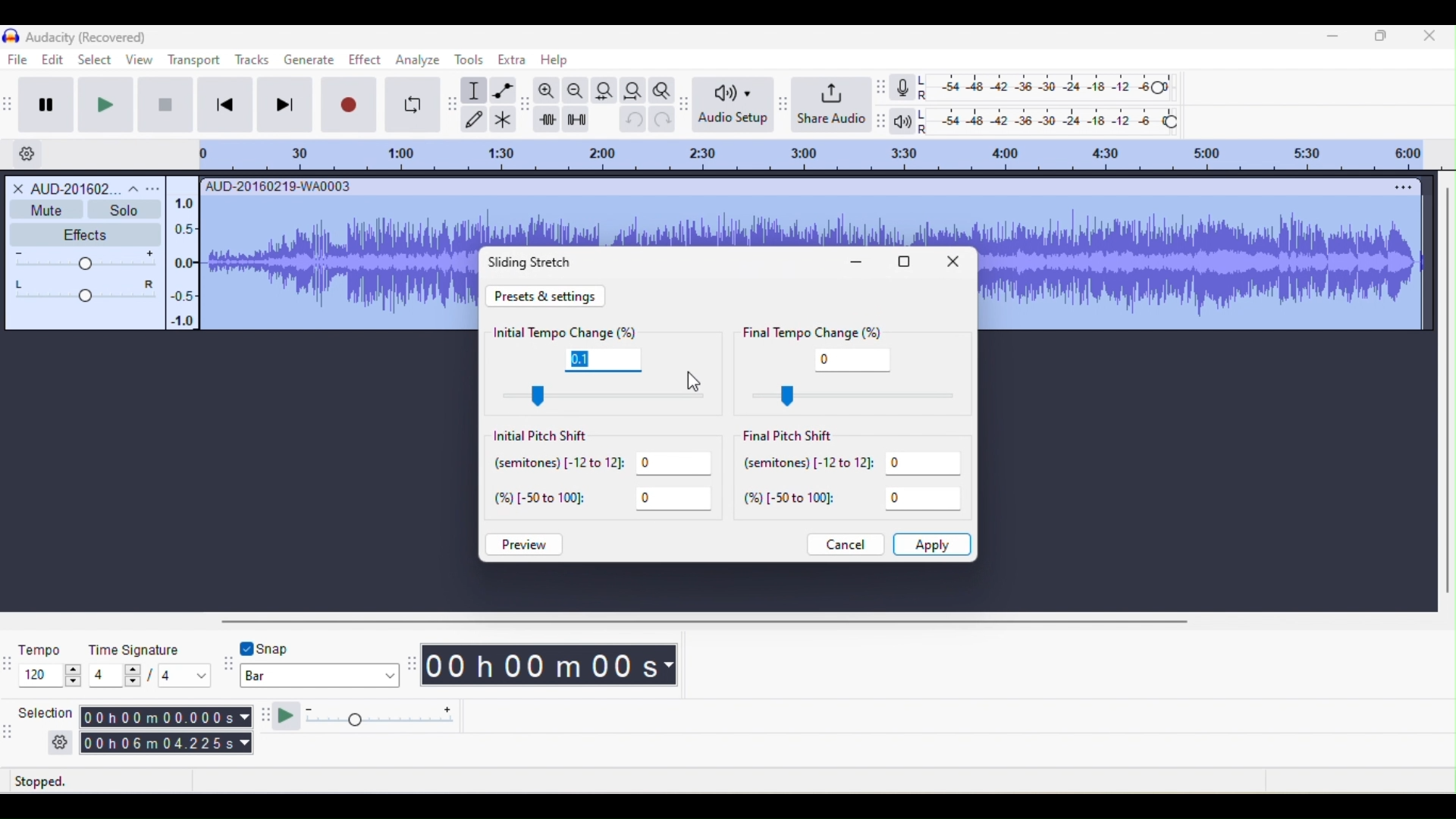  Describe the element at coordinates (375, 718) in the screenshot. I see `play at speed` at that location.